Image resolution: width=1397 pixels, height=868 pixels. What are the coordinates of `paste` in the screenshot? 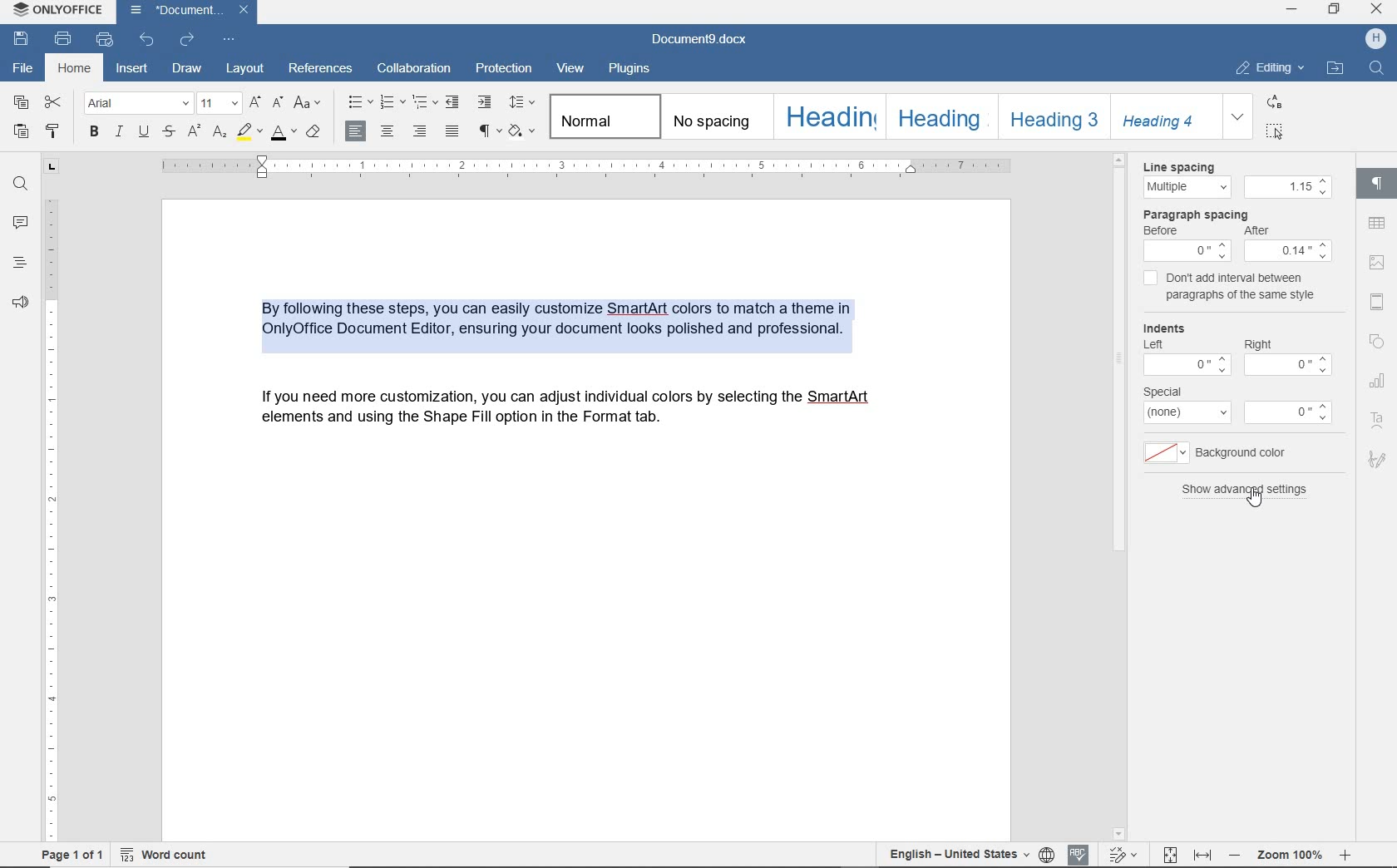 It's located at (22, 131).